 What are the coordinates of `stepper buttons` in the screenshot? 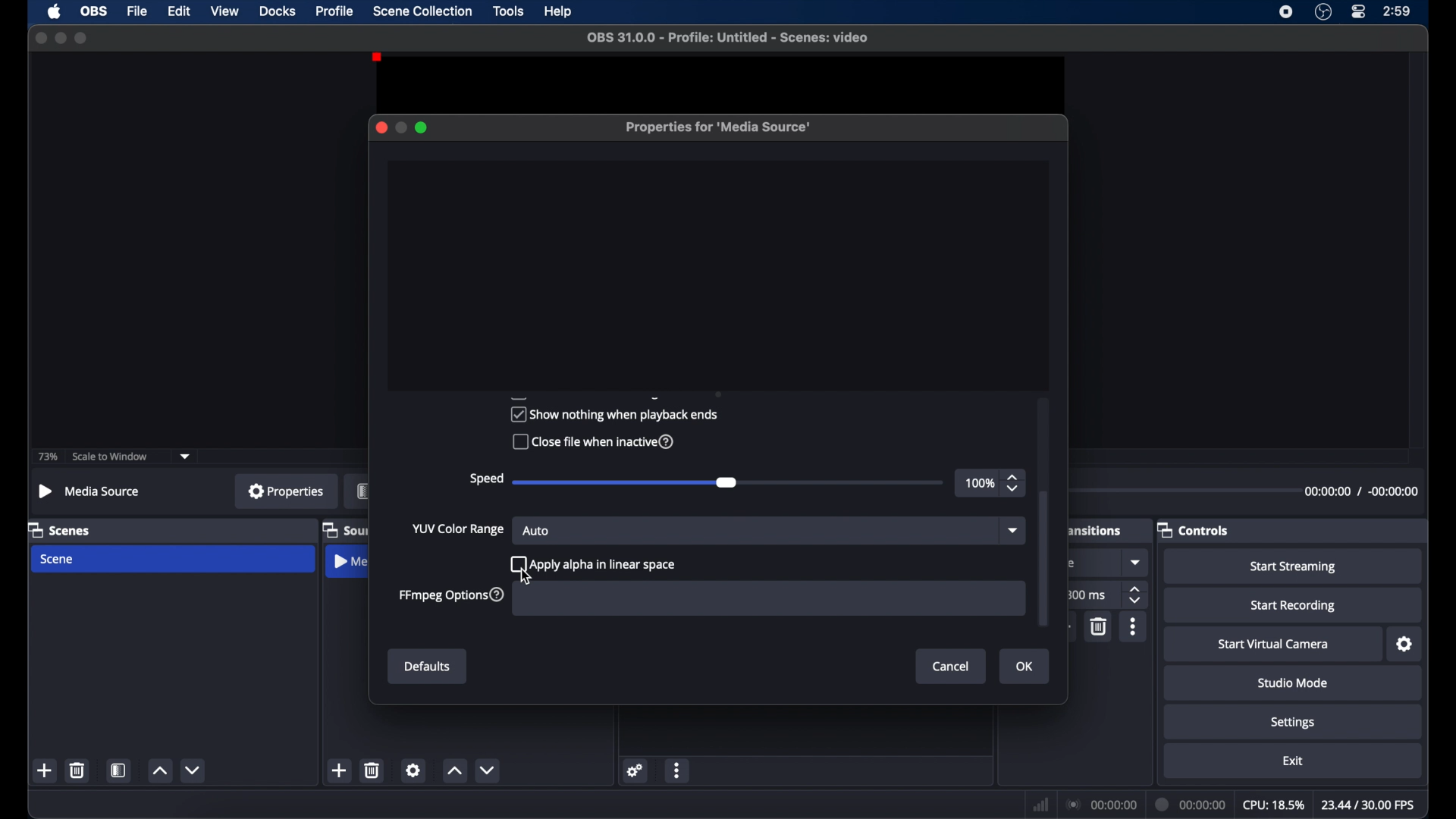 It's located at (1136, 595).